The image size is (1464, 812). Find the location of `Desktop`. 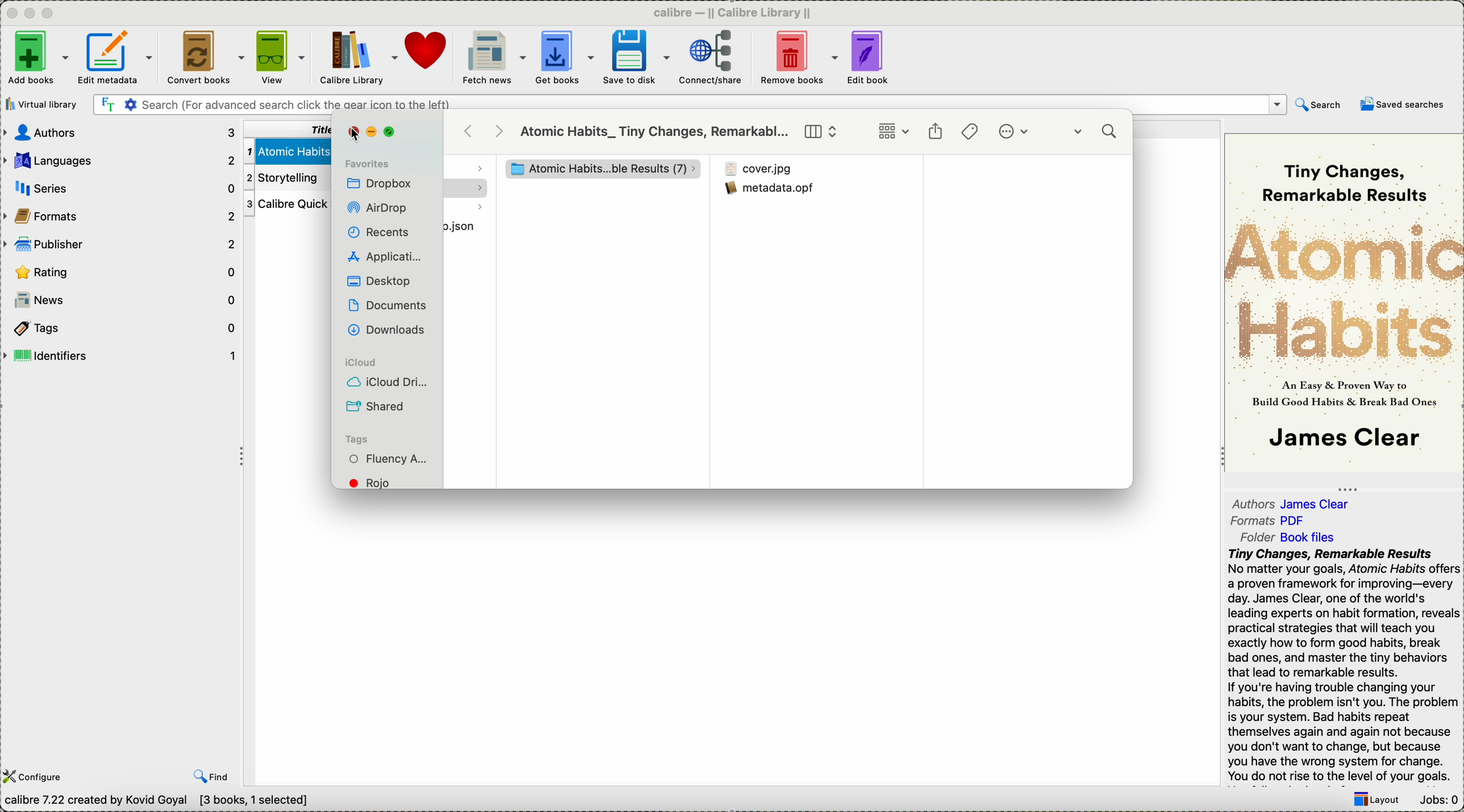

Desktop is located at coordinates (378, 281).